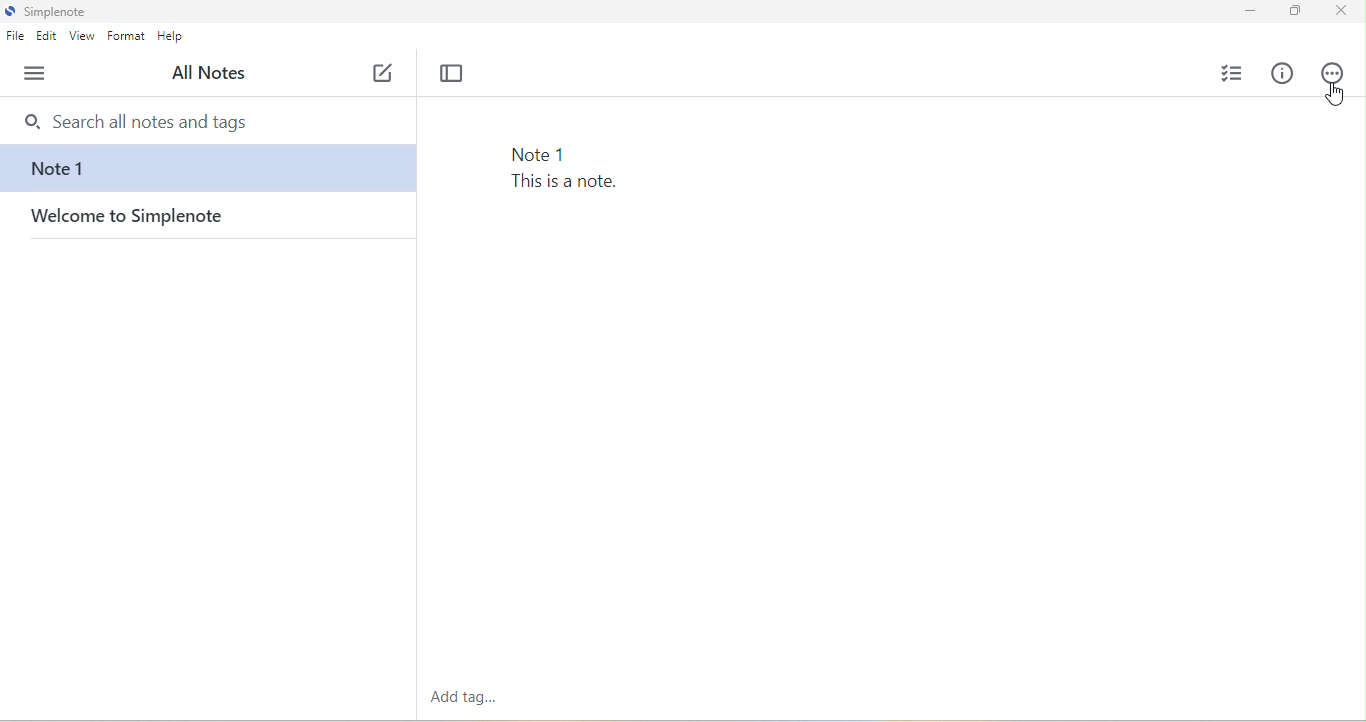 The image size is (1366, 722). What do you see at coordinates (41, 72) in the screenshot?
I see `menu` at bounding box center [41, 72].